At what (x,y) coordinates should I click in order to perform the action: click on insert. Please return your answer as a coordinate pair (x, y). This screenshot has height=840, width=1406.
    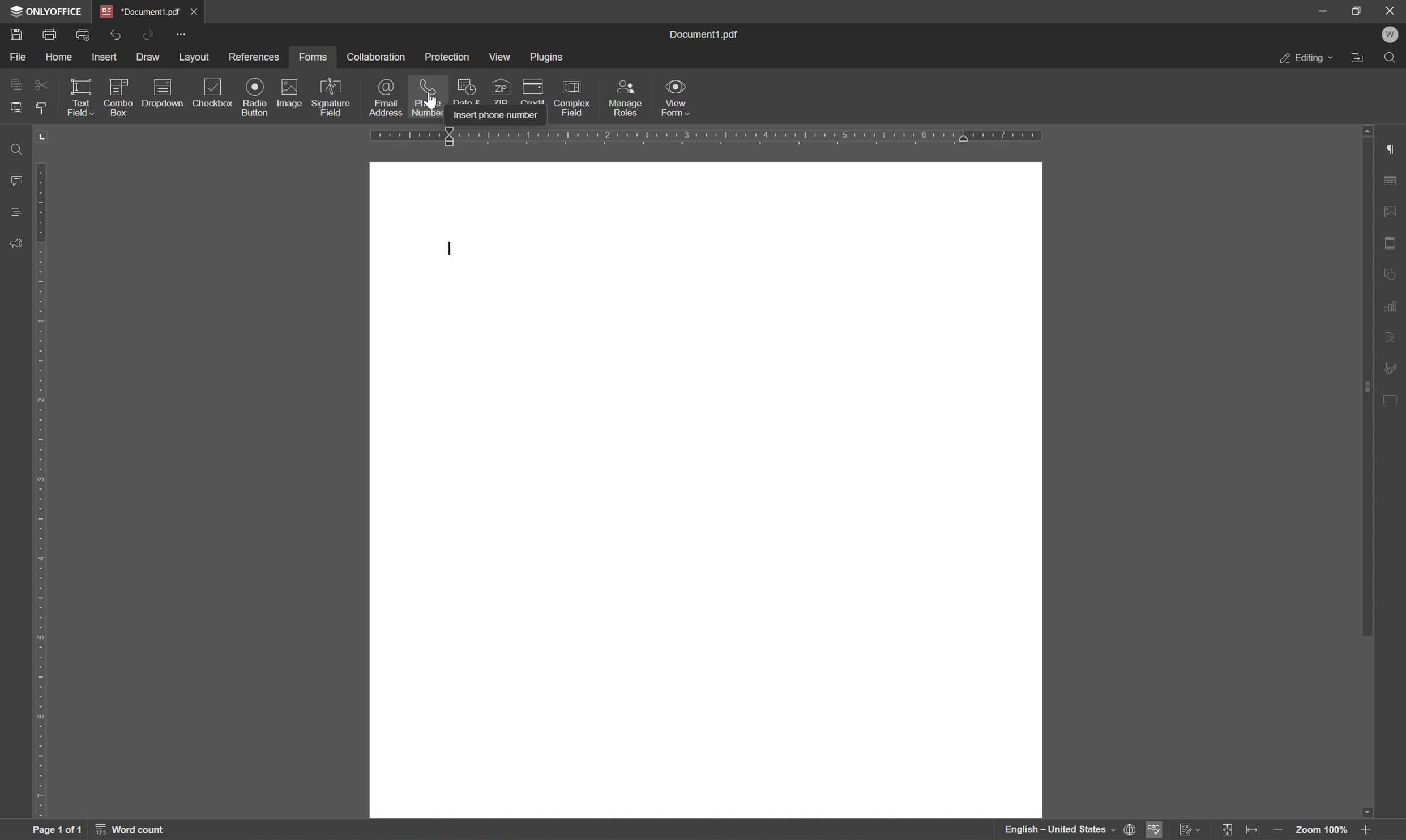
    Looking at the image, I should click on (103, 57).